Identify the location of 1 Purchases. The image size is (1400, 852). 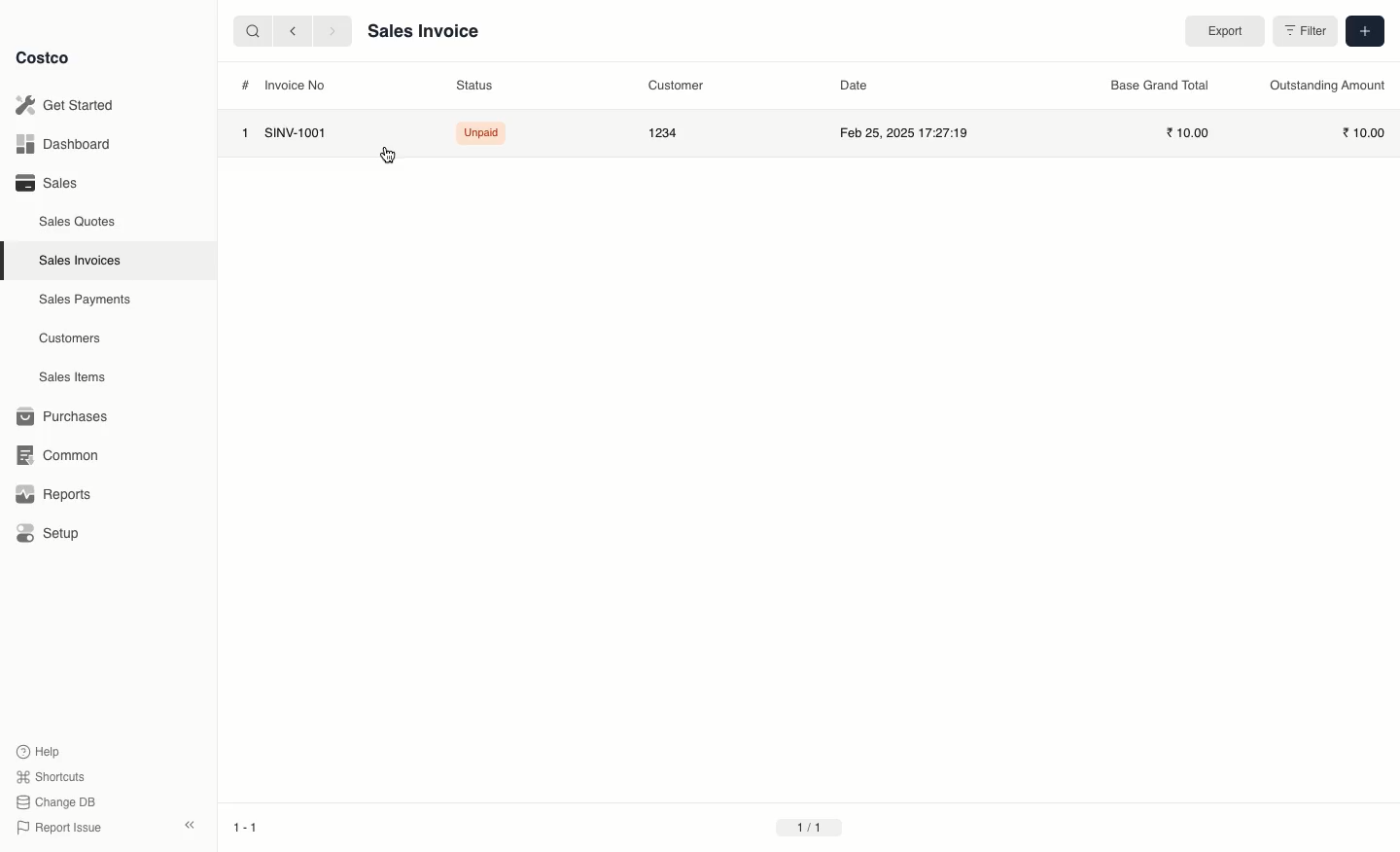
(67, 417).